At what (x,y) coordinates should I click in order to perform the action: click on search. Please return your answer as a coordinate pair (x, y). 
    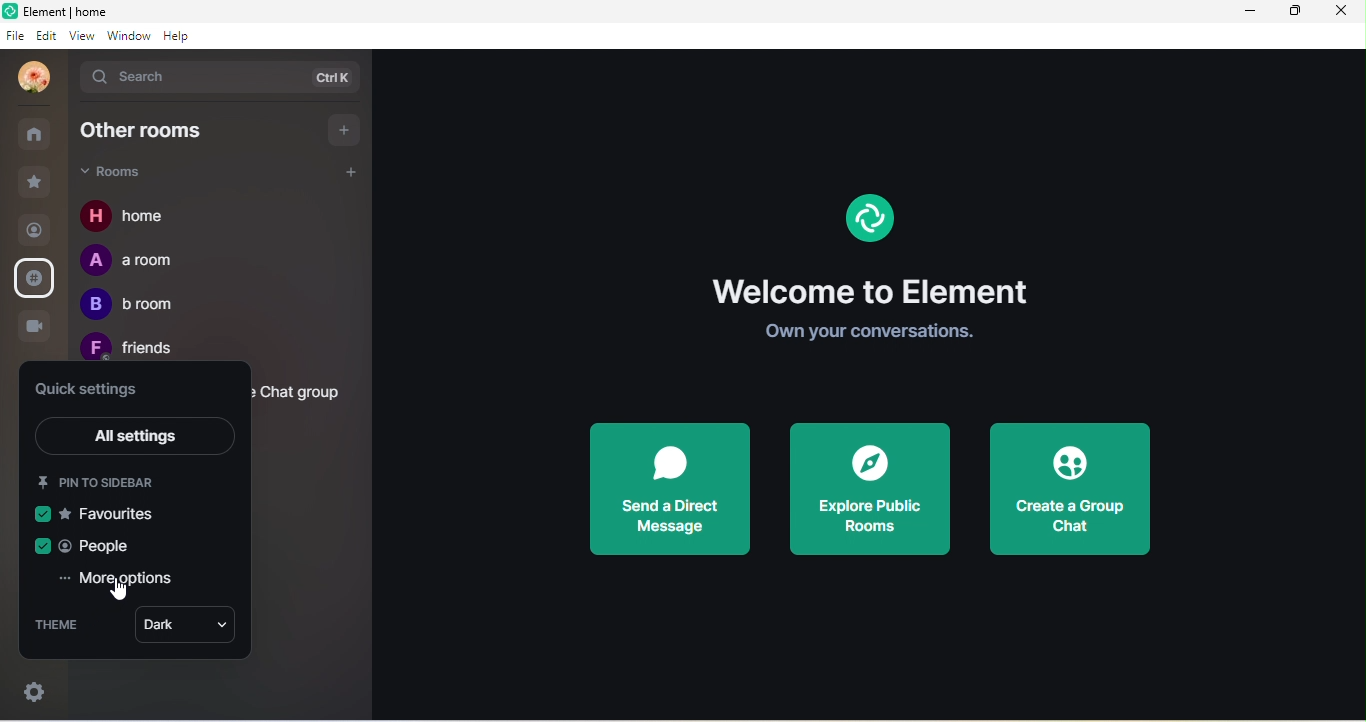
    Looking at the image, I should click on (221, 80).